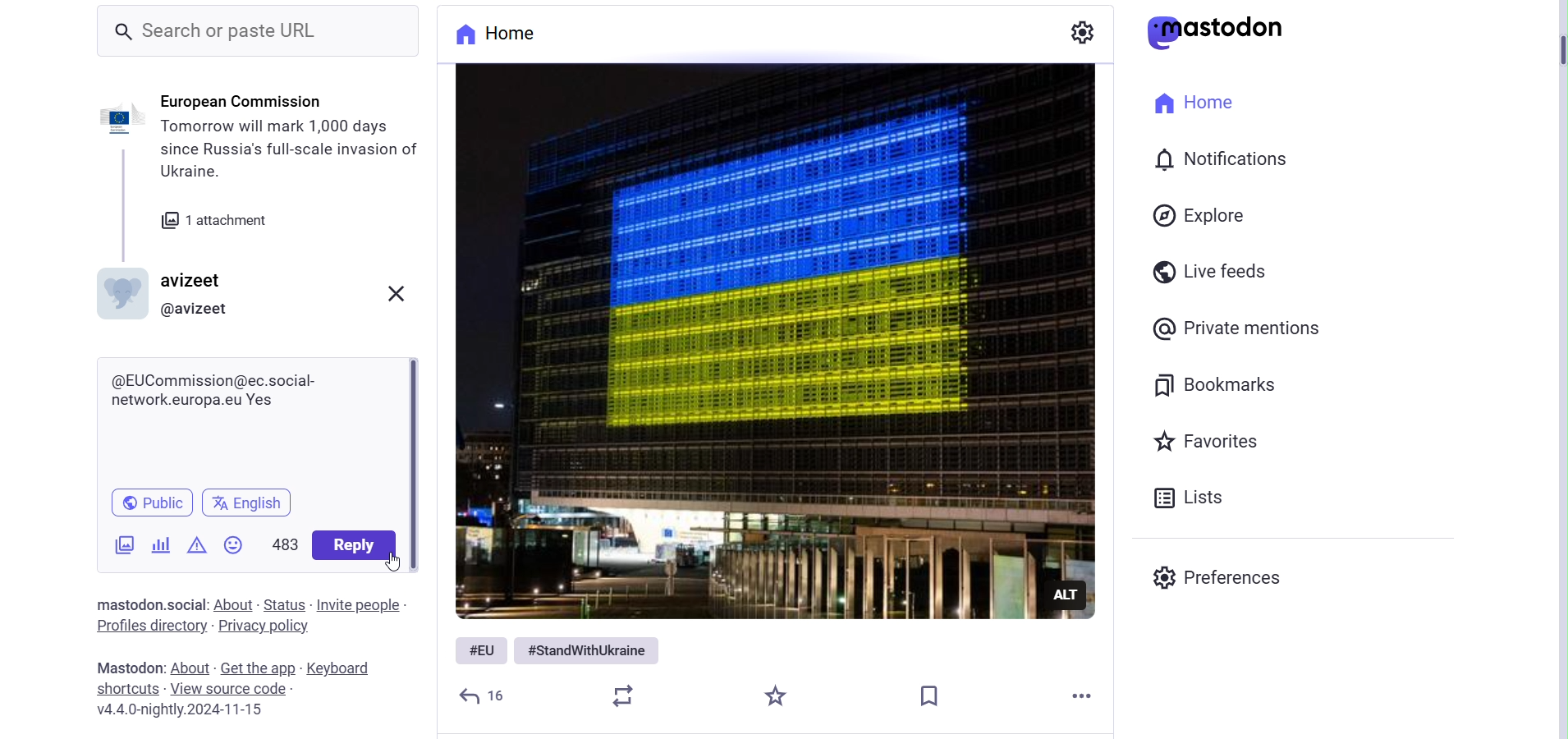  What do you see at coordinates (193, 668) in the screenshot?
I see `About` at bounding box center [193, 668].